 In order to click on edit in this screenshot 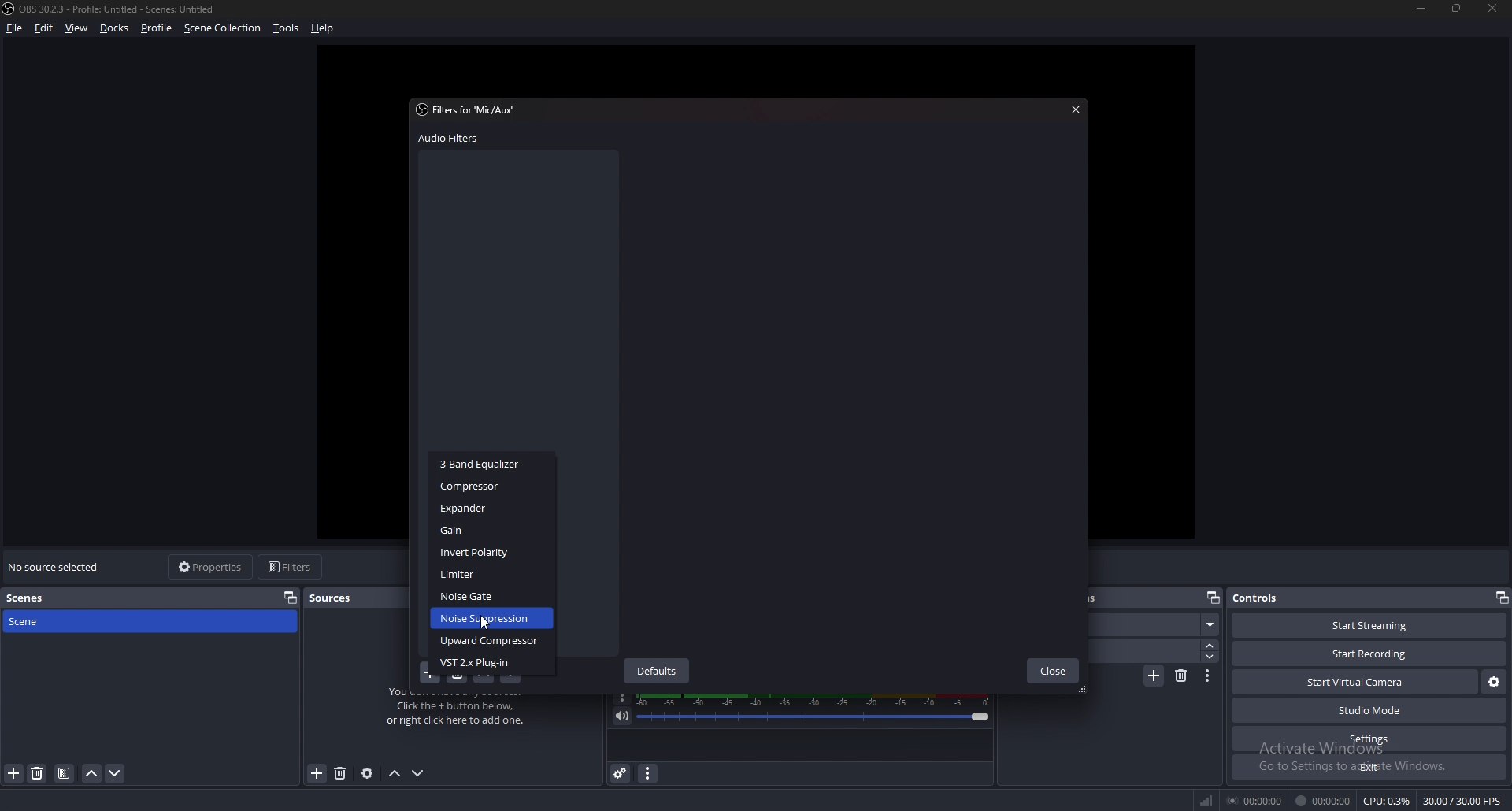, I will do `click(44, 28)`.